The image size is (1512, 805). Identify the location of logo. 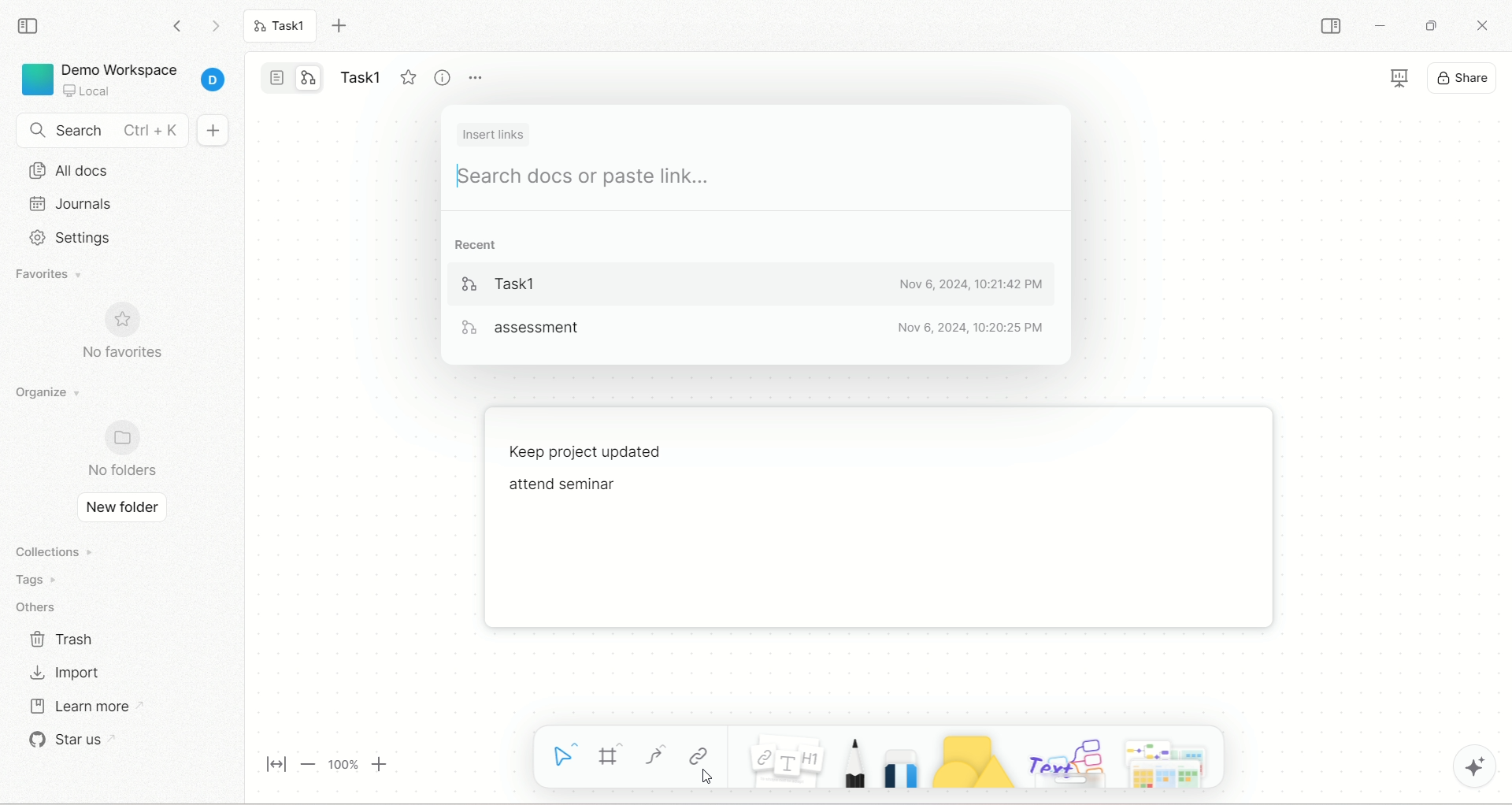
(35, 79).